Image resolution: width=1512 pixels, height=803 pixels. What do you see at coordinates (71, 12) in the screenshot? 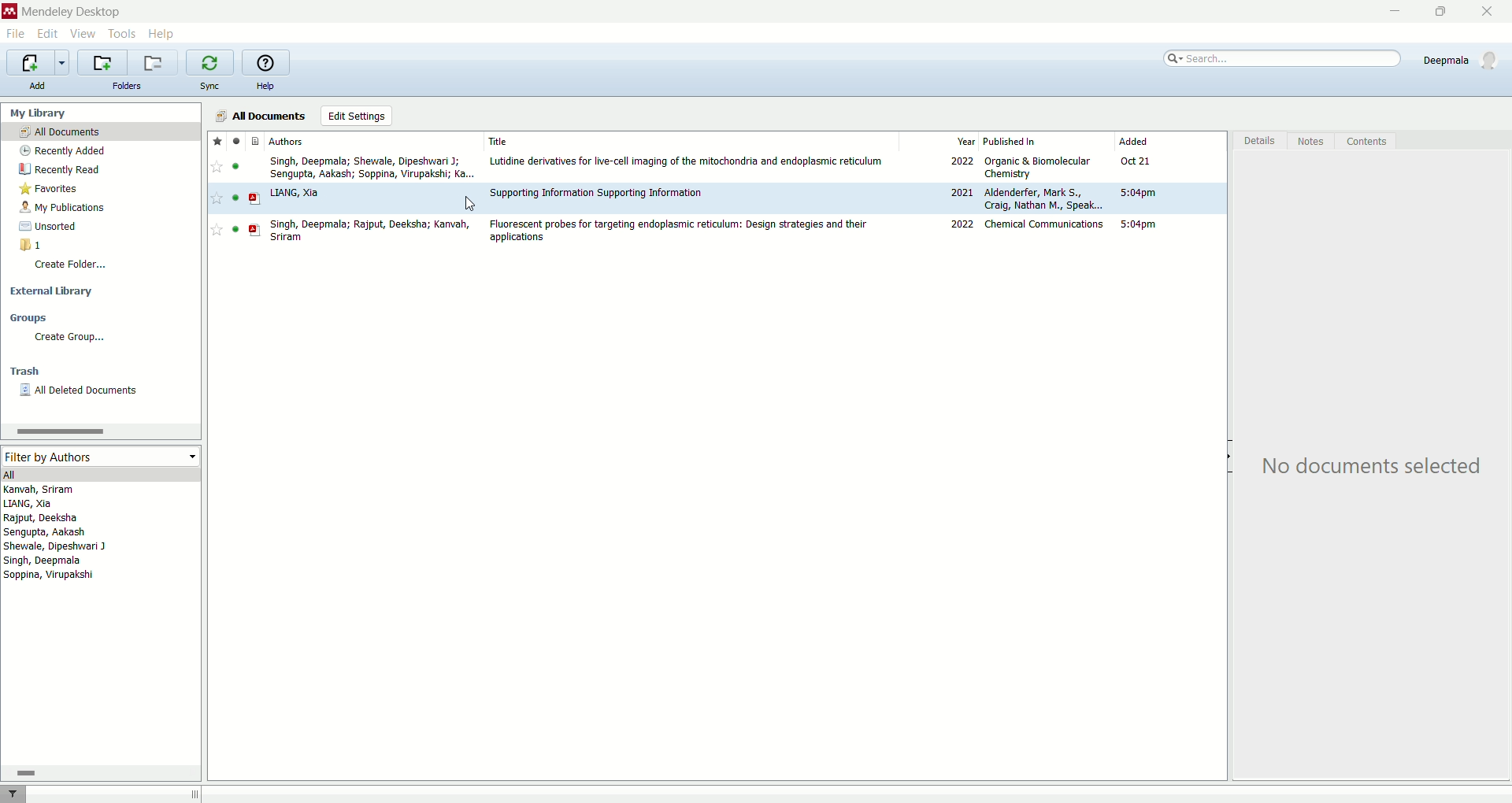
I see `mendeley desktop` at bounding box center [71, 12].